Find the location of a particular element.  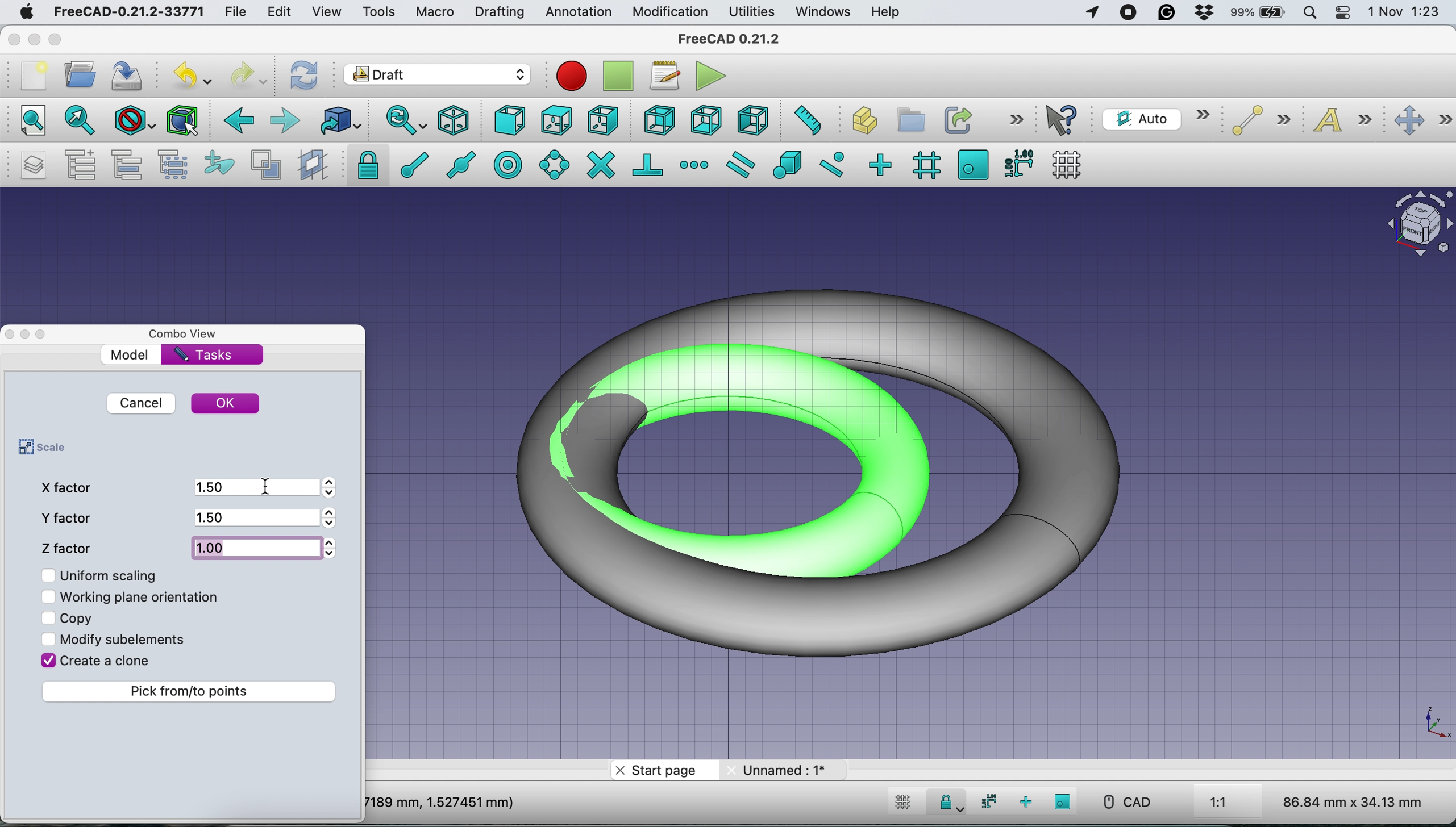

Apps Using Location is located at coordinates (1092, 14).